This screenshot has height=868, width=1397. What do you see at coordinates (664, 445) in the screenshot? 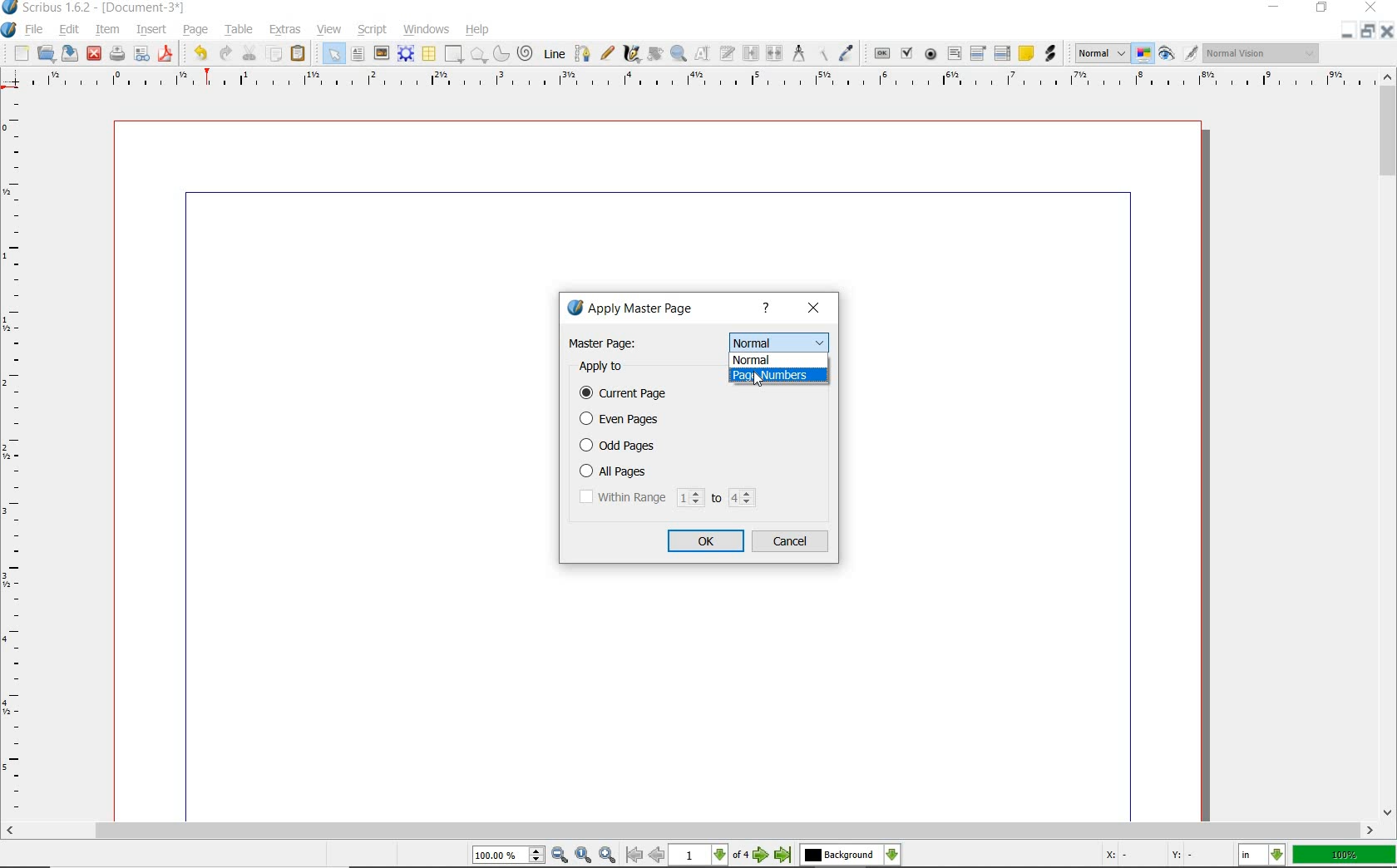
I see `odd pages` at bounding box center [664, 445].